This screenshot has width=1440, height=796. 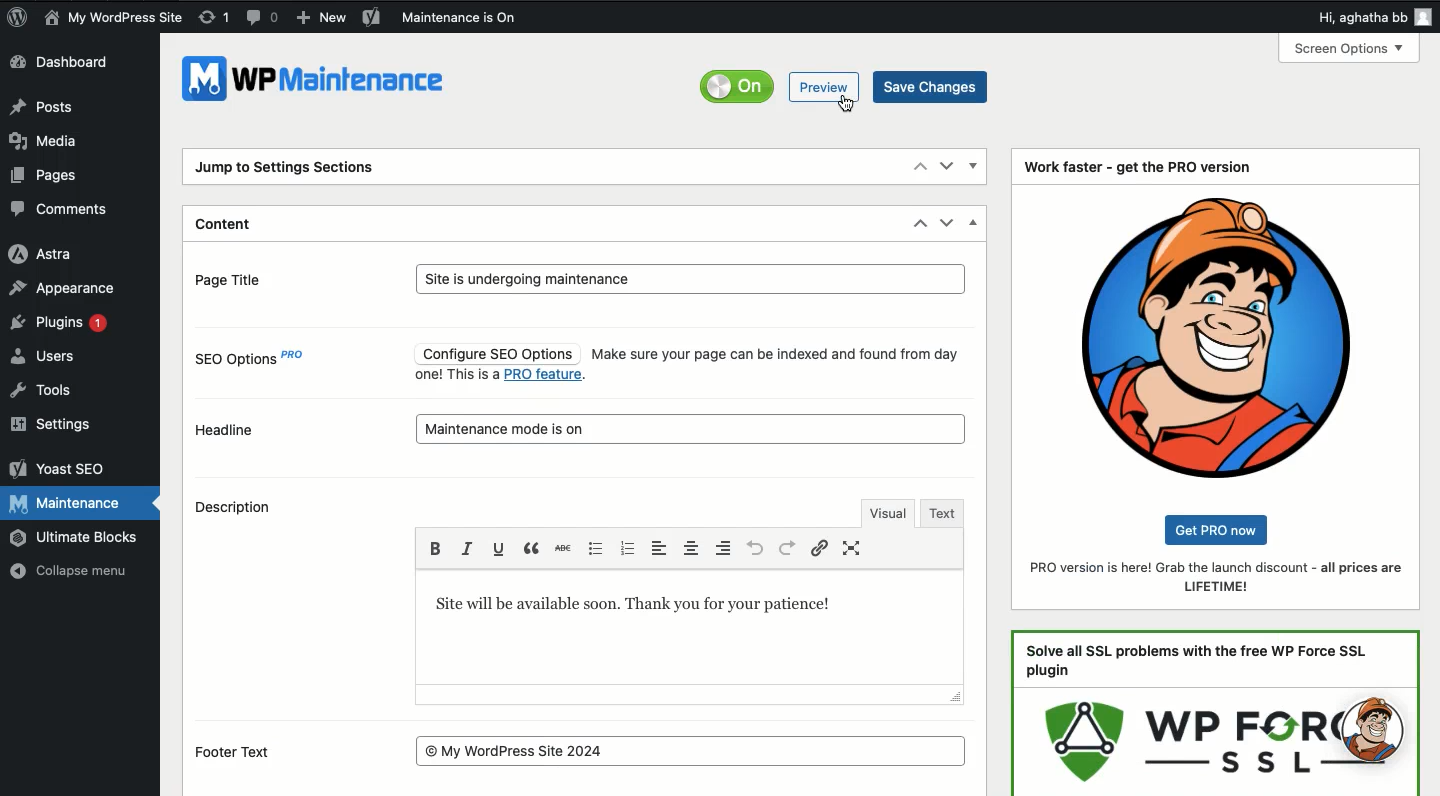 What do you see at coordinates (1347, 48) in the screenshot?
I see `screen options` at bounding box center [1347, 48].